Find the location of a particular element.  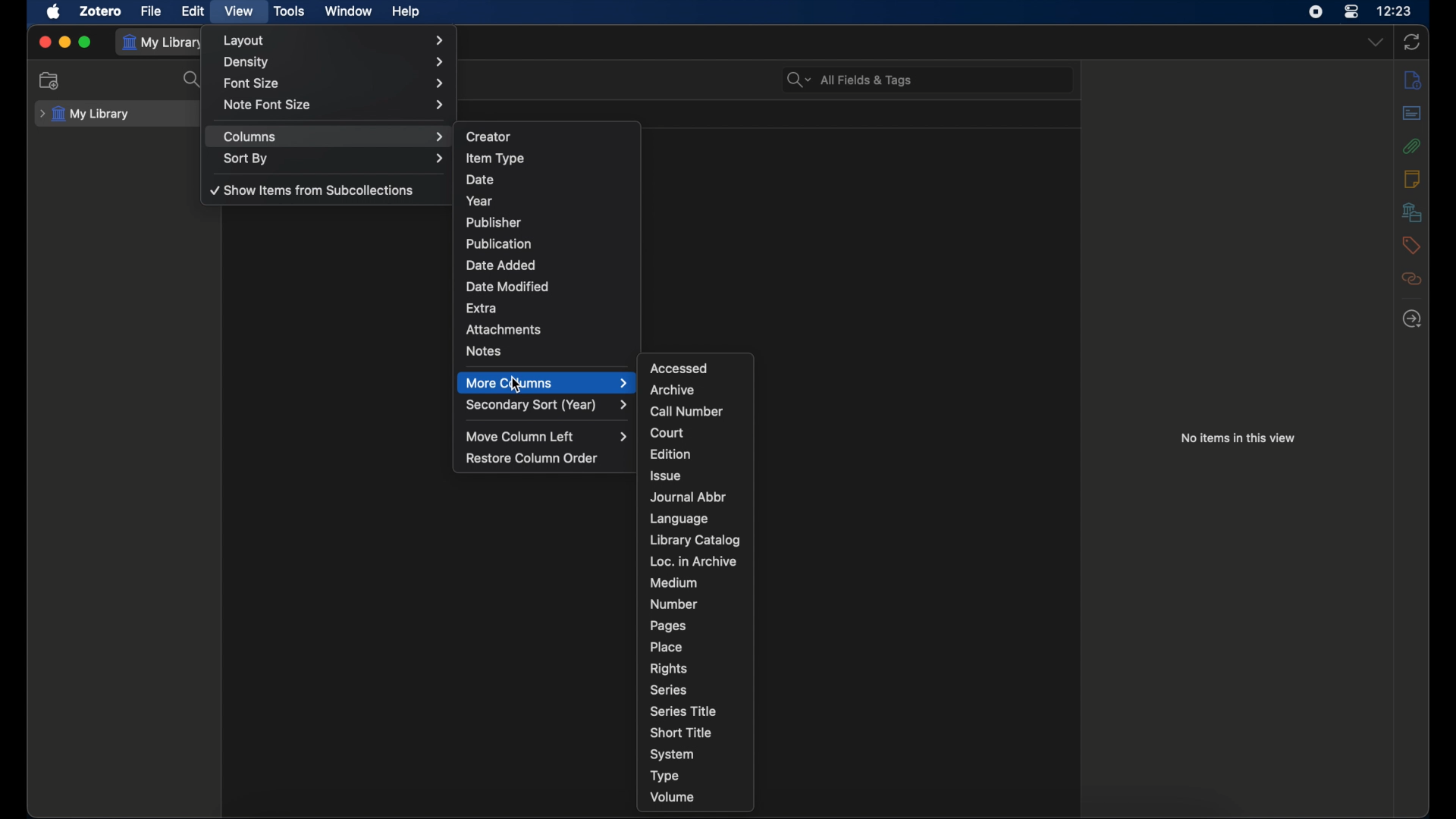

note font size is located at coordinates (336, 105).